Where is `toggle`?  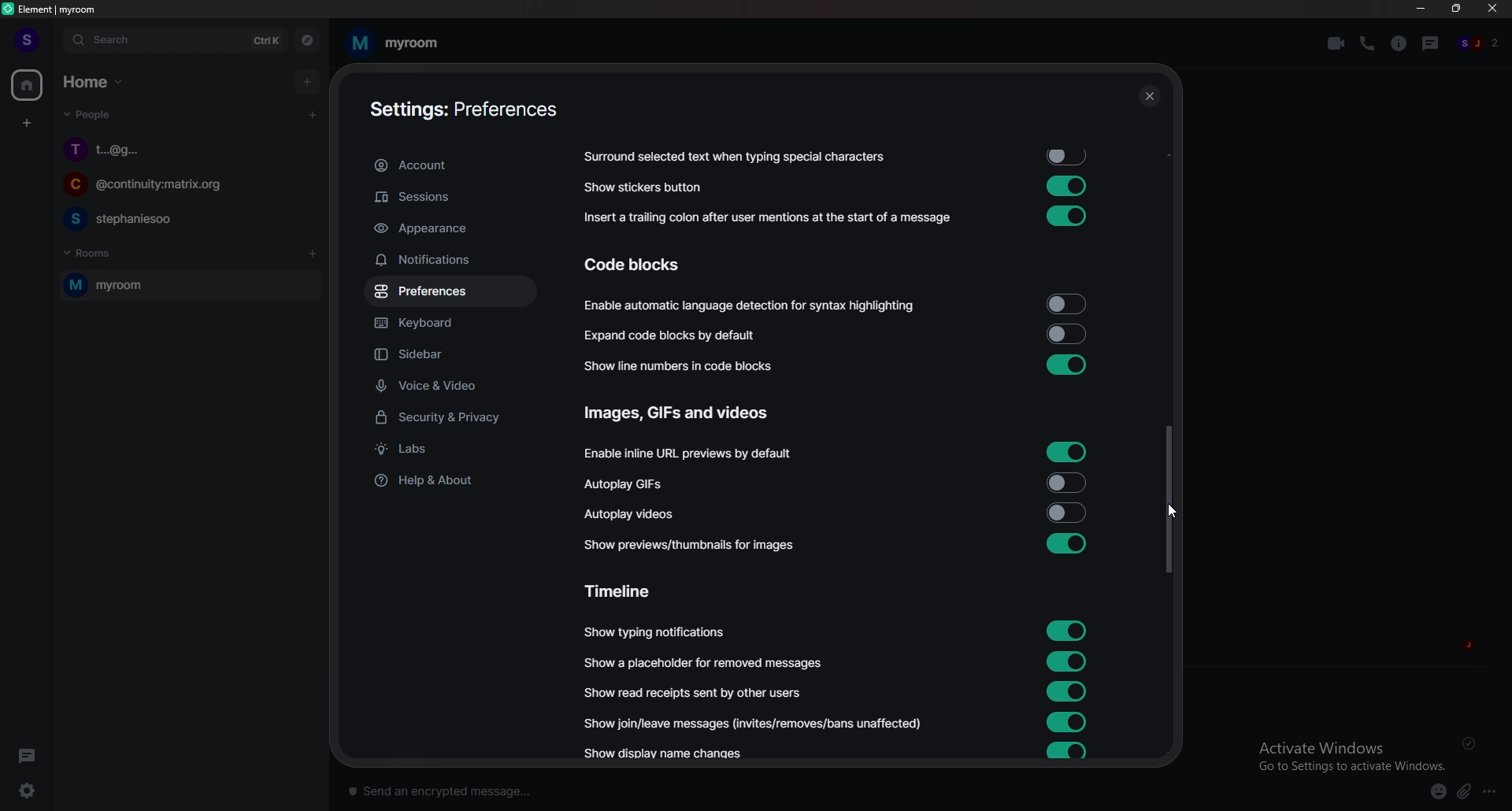
toggle is located at coordinates (1065, 691).